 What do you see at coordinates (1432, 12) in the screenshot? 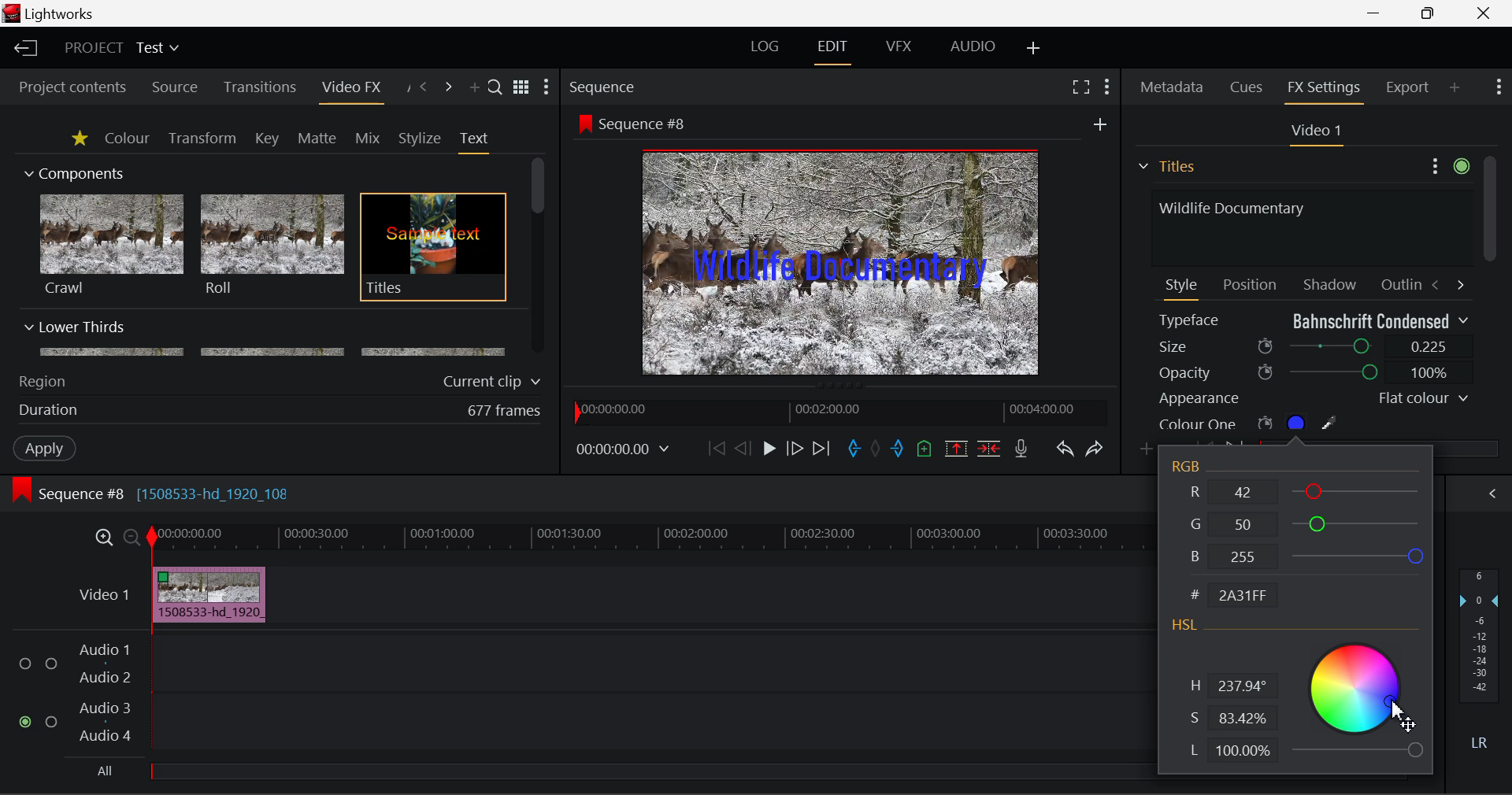
I see `Minimize` at bounding box center [1432, 12].